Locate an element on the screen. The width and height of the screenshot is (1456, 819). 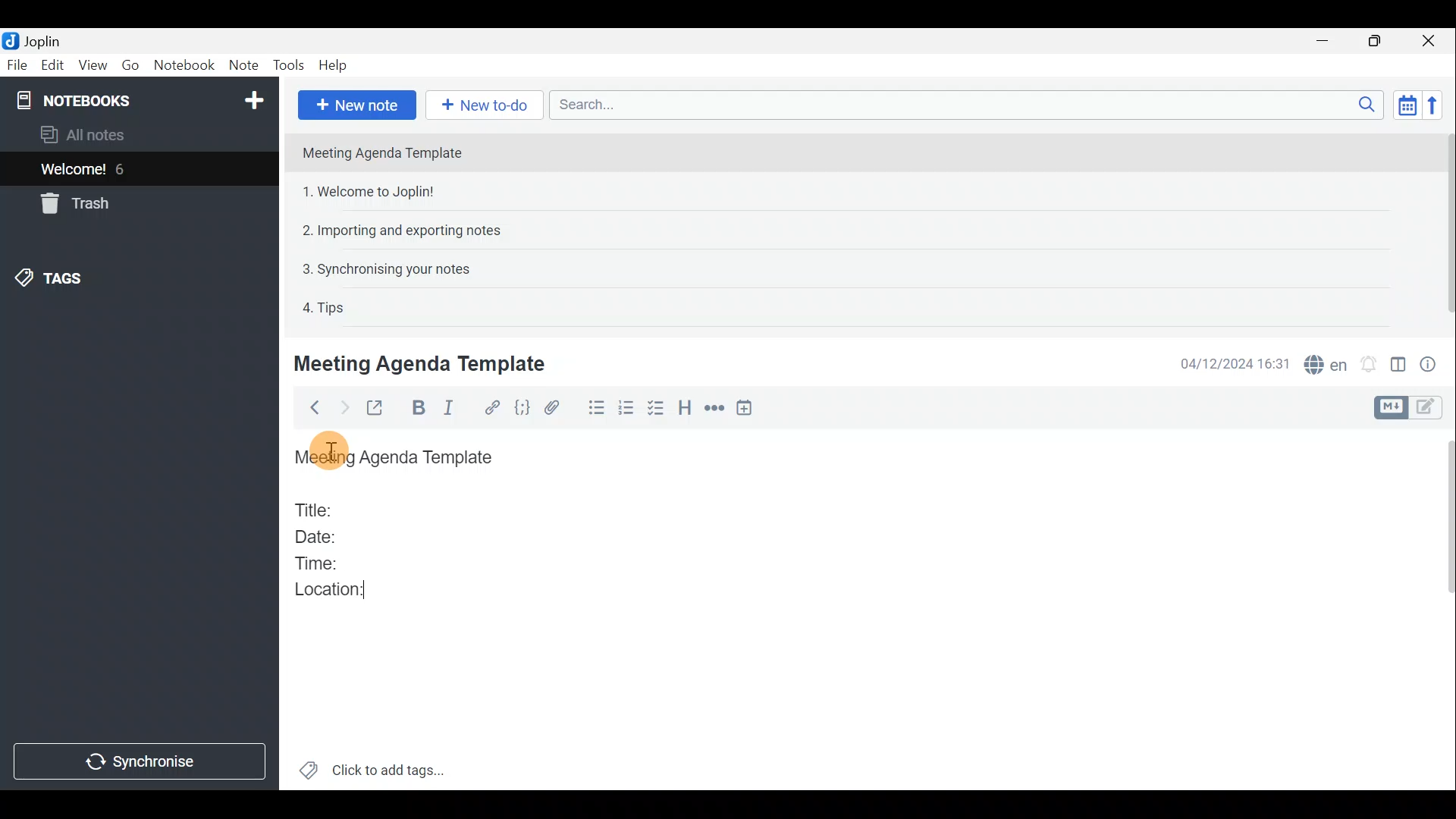
Meeting Agenda Template is located at coordinates (384, 152).